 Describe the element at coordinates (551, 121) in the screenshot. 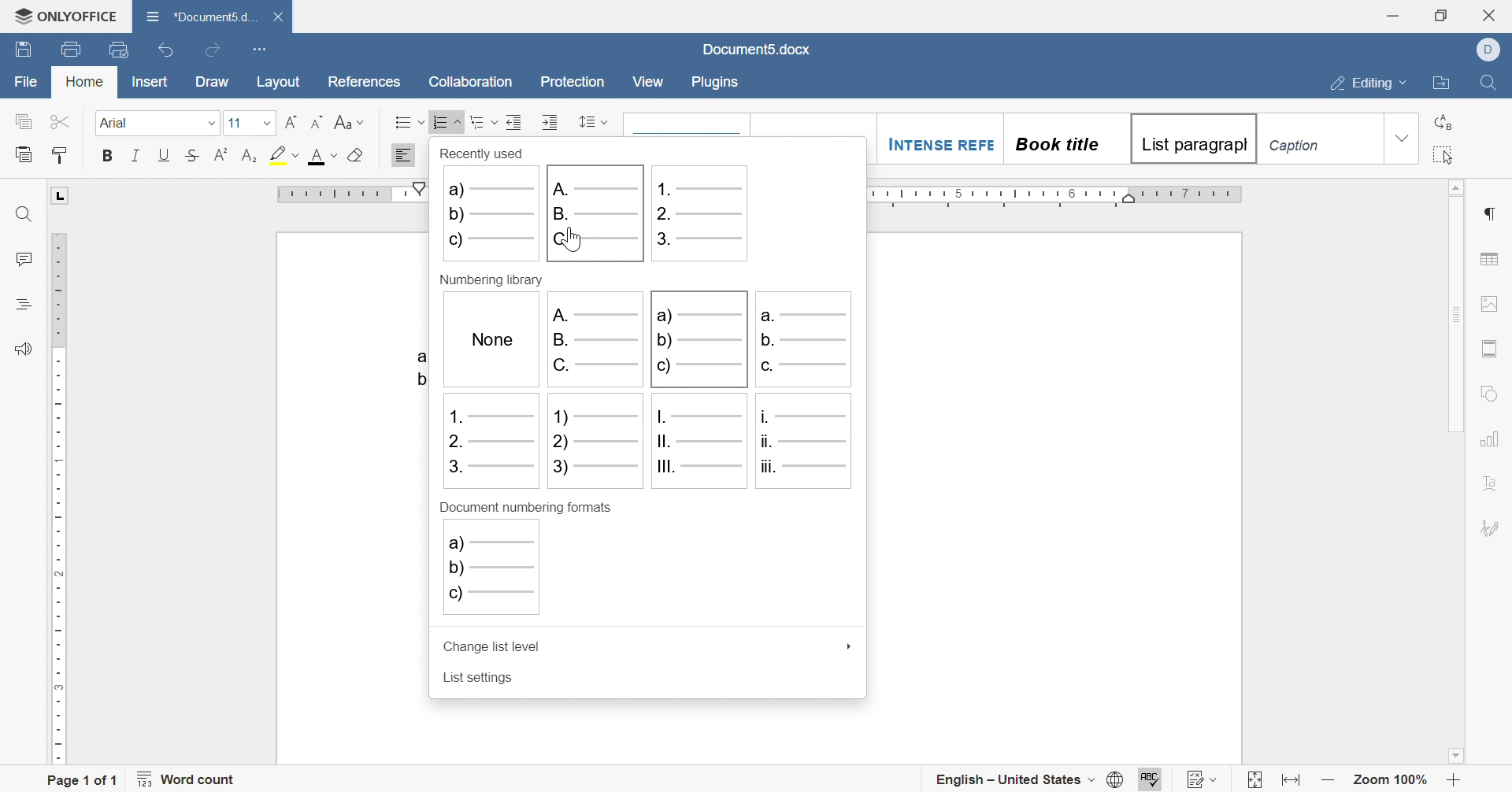

I see `increase indent` at that location.